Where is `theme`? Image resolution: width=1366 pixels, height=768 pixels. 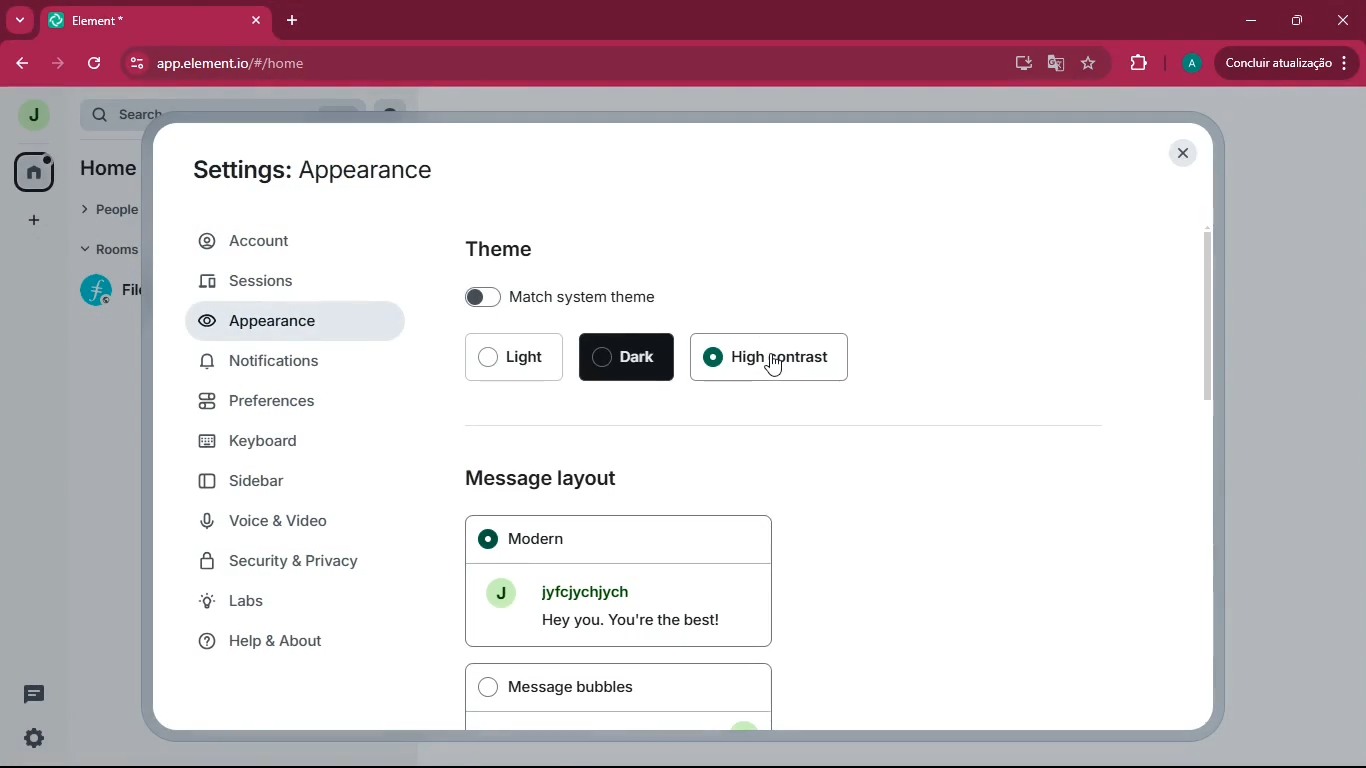 theme is located at coordinates (507, 247).